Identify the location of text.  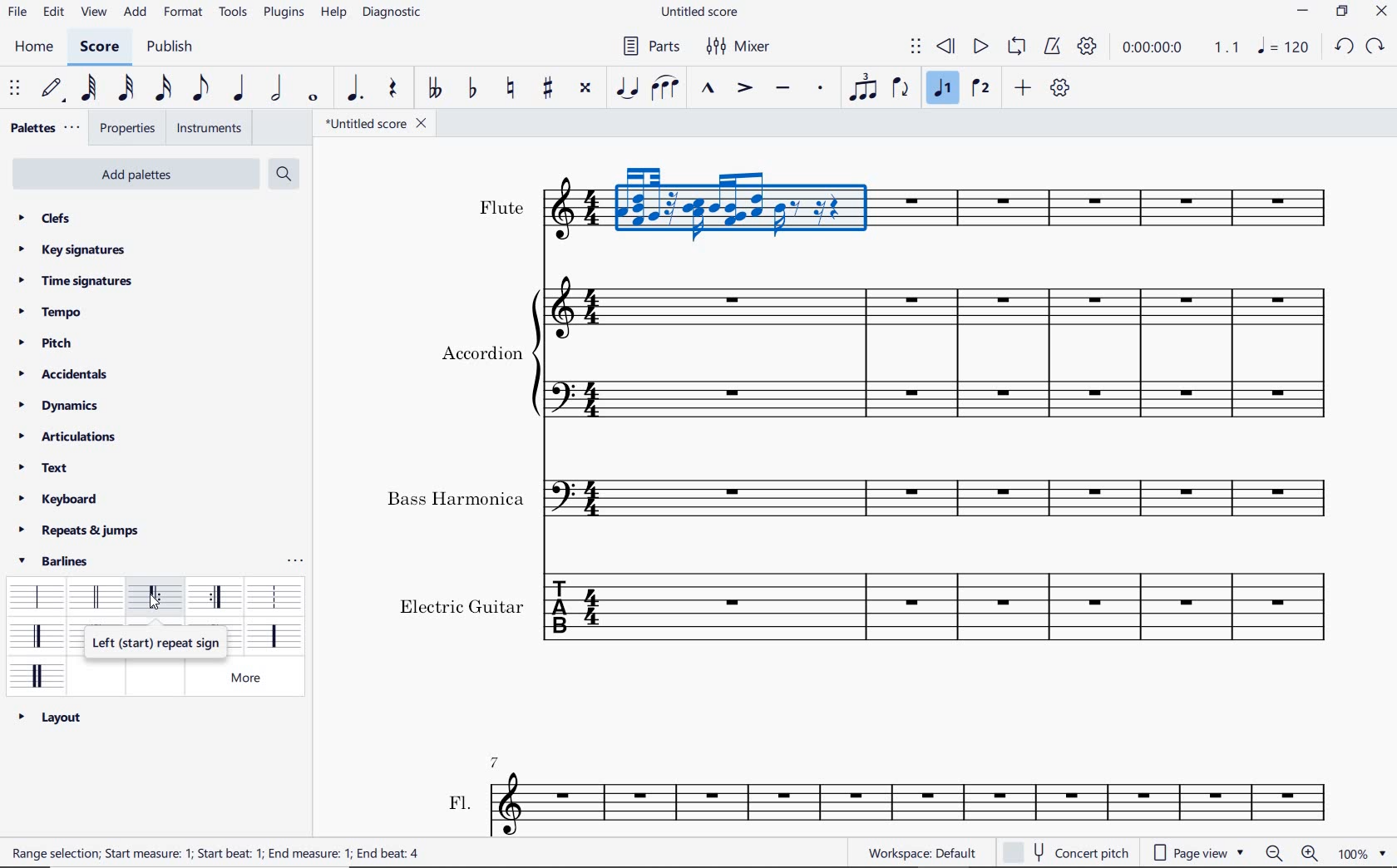
(481, 352).